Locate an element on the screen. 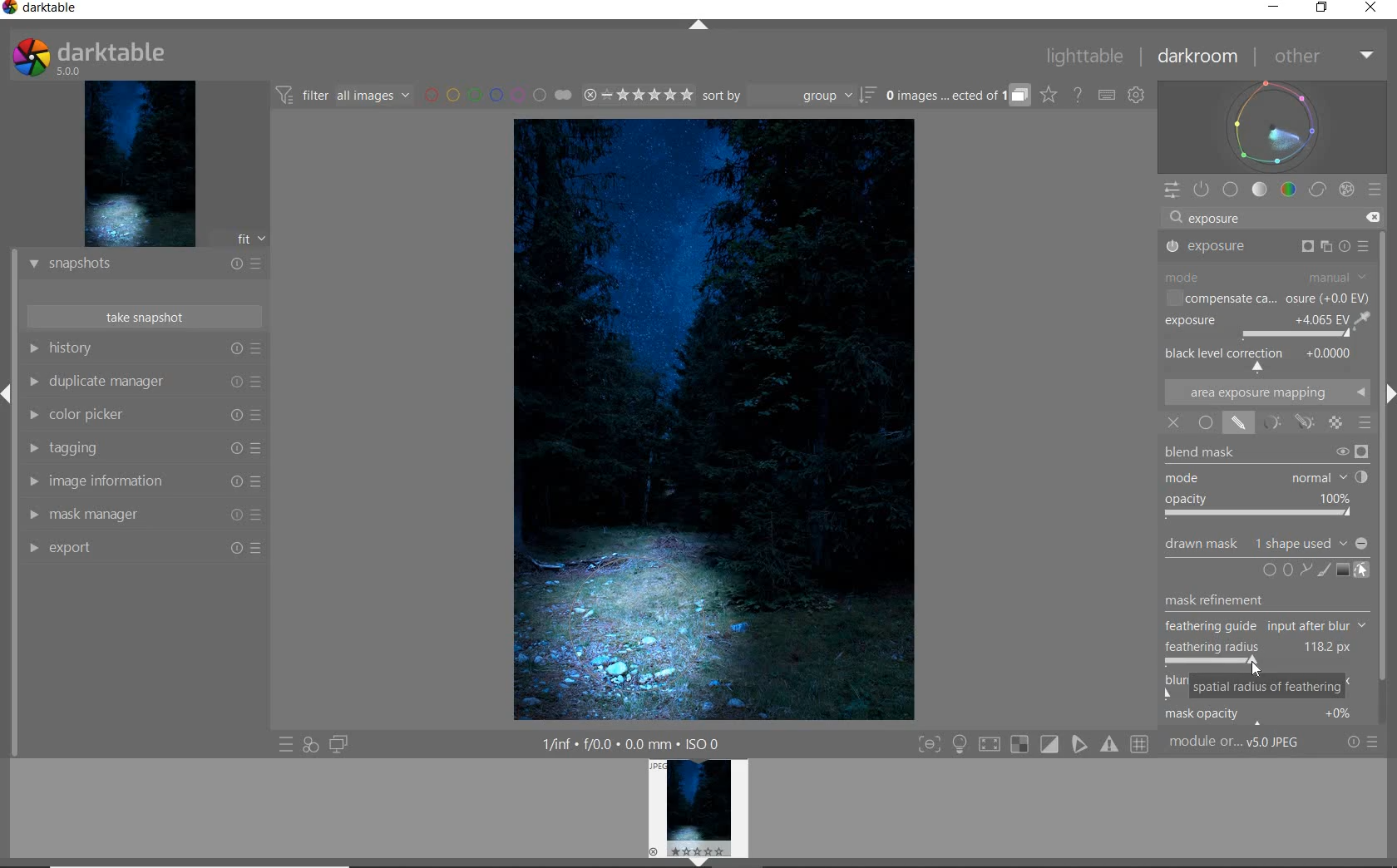  MODE is located at coordinates (1266, 279).